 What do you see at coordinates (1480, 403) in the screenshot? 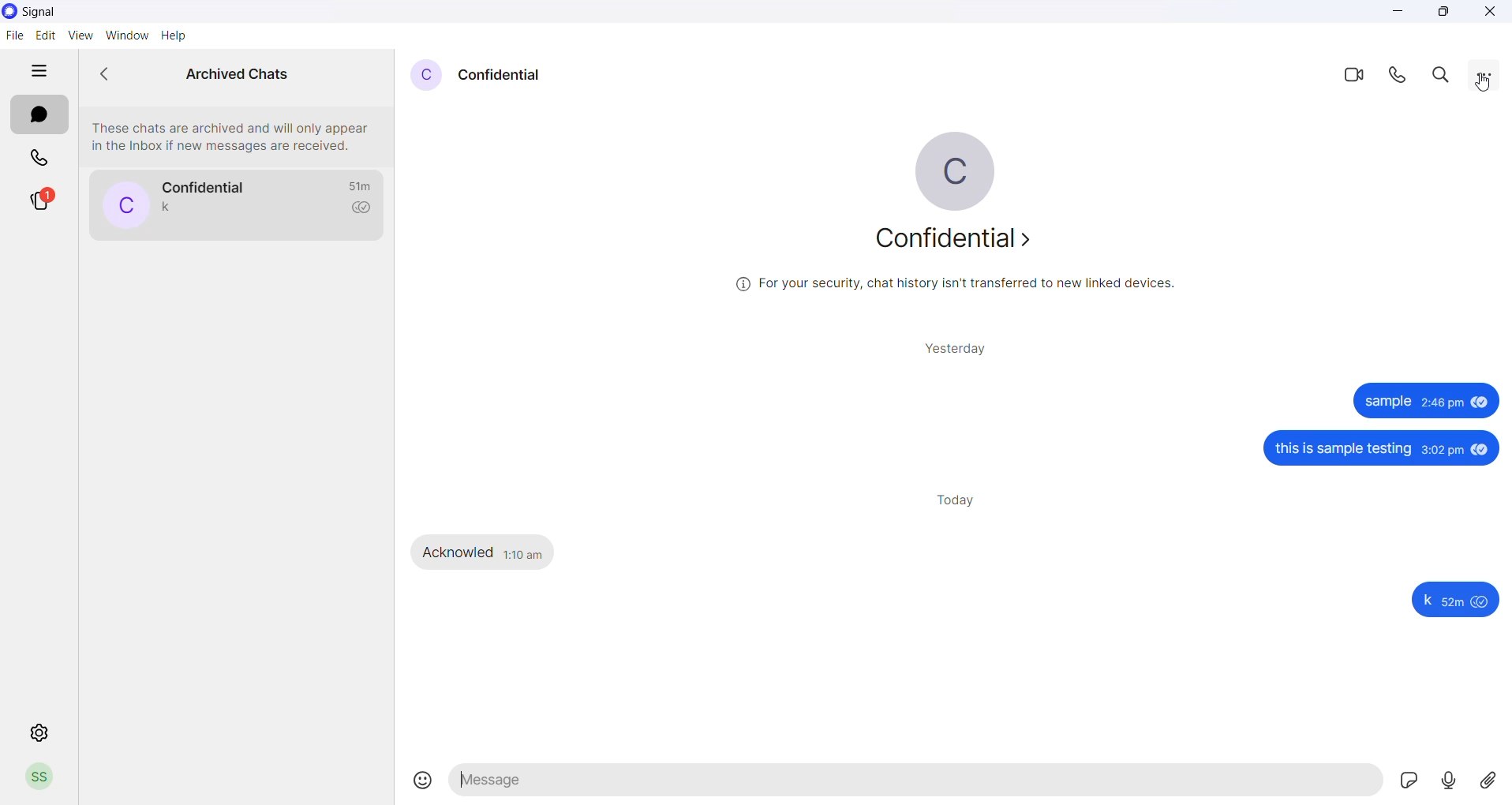
I see `seen` at bounding box center [1480, 403].